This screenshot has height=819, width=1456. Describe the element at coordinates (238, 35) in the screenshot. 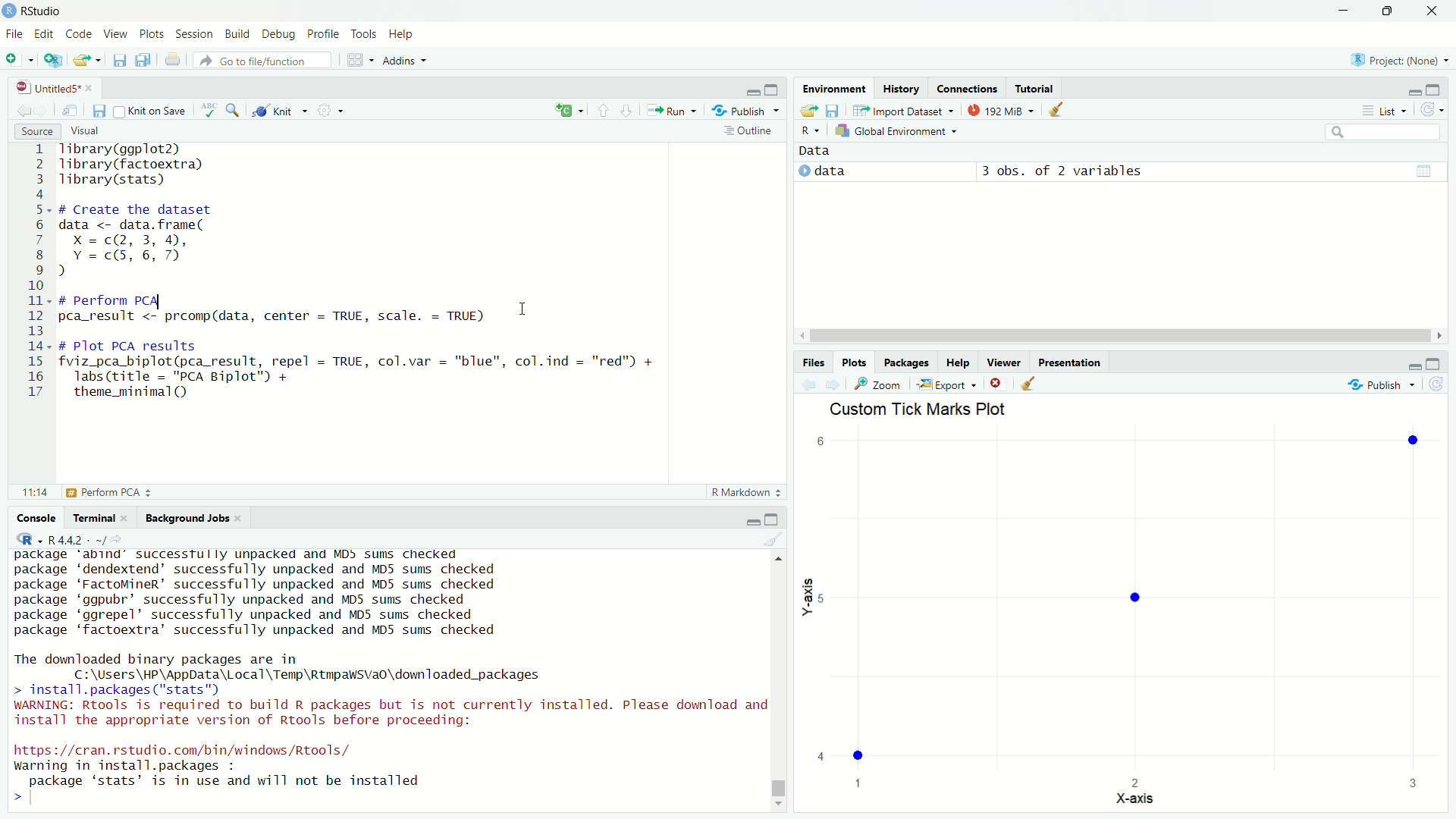

I see `Build` at that location.